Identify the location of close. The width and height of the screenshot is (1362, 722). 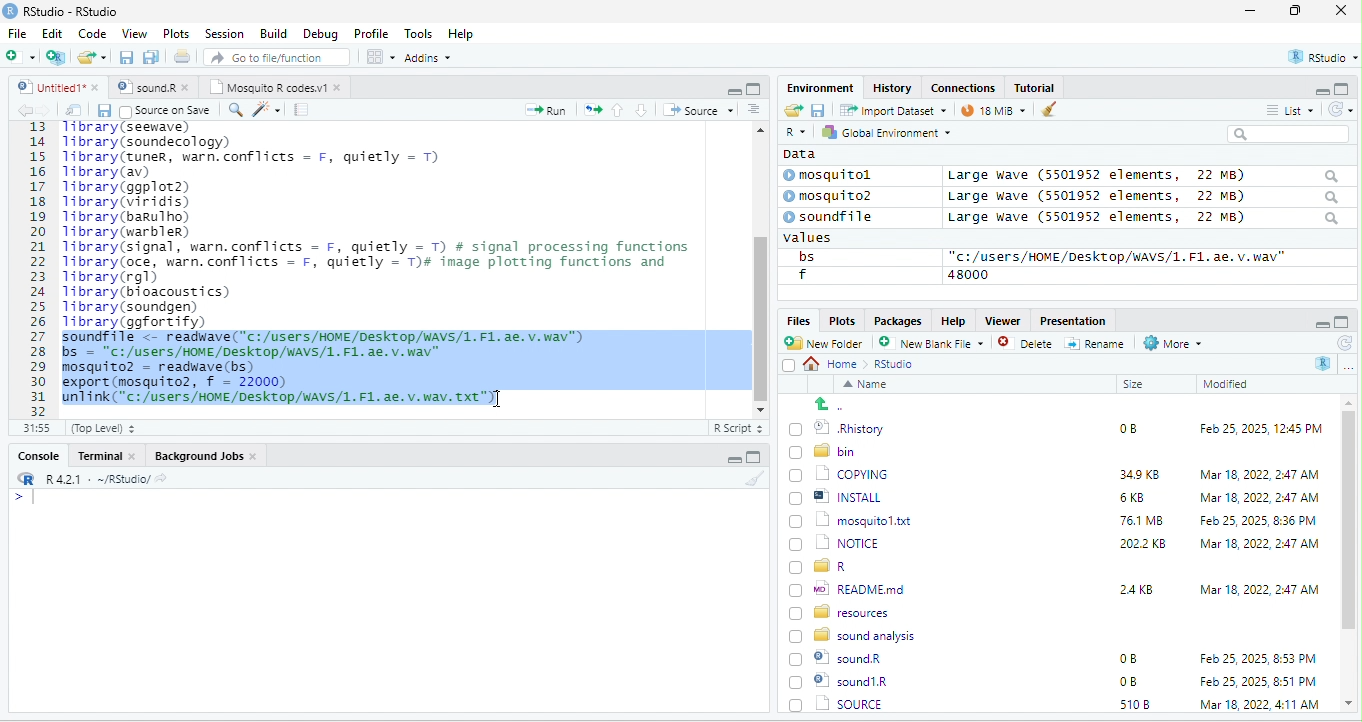
(1341, 12).